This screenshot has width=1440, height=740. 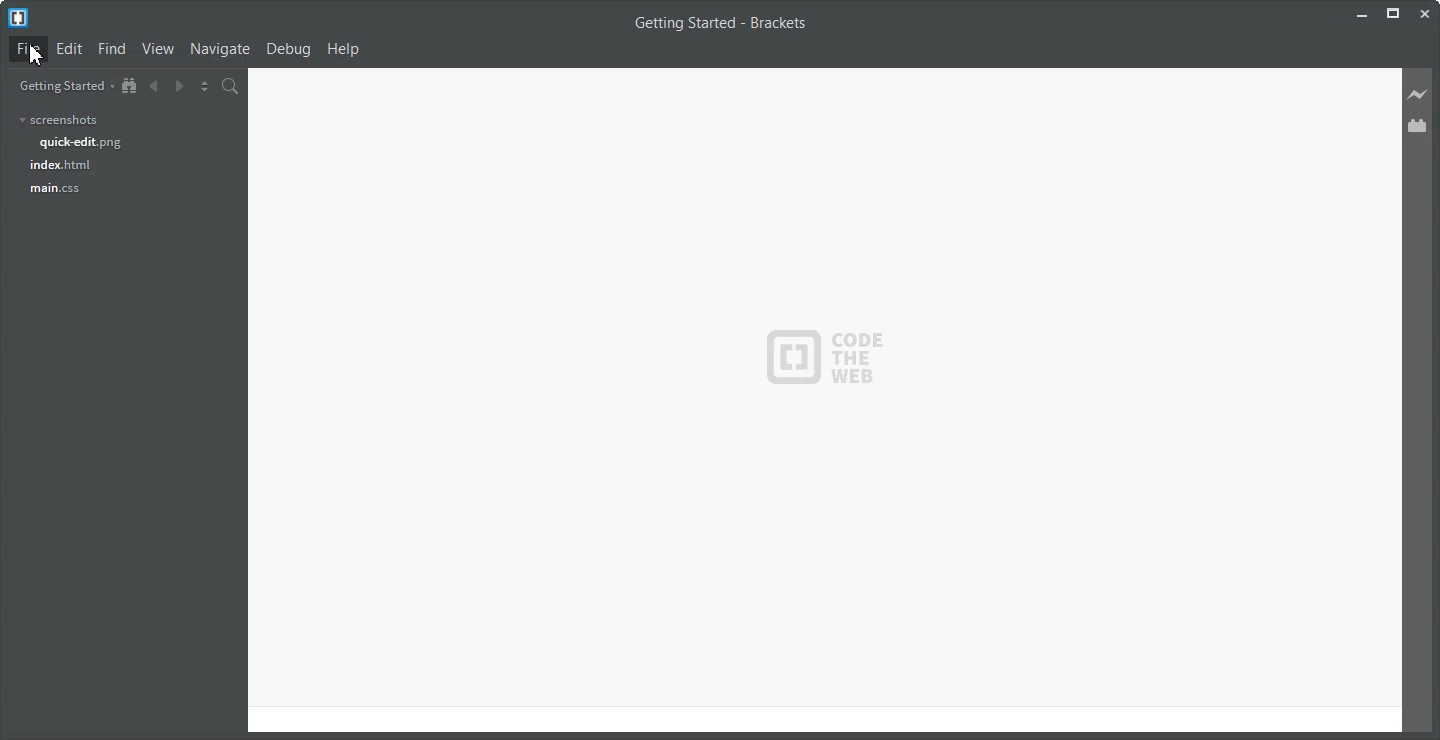 What do you see at coordinates (221, 49) in the screenshot?
I see `Navigate` at bounding box center [221, 49].